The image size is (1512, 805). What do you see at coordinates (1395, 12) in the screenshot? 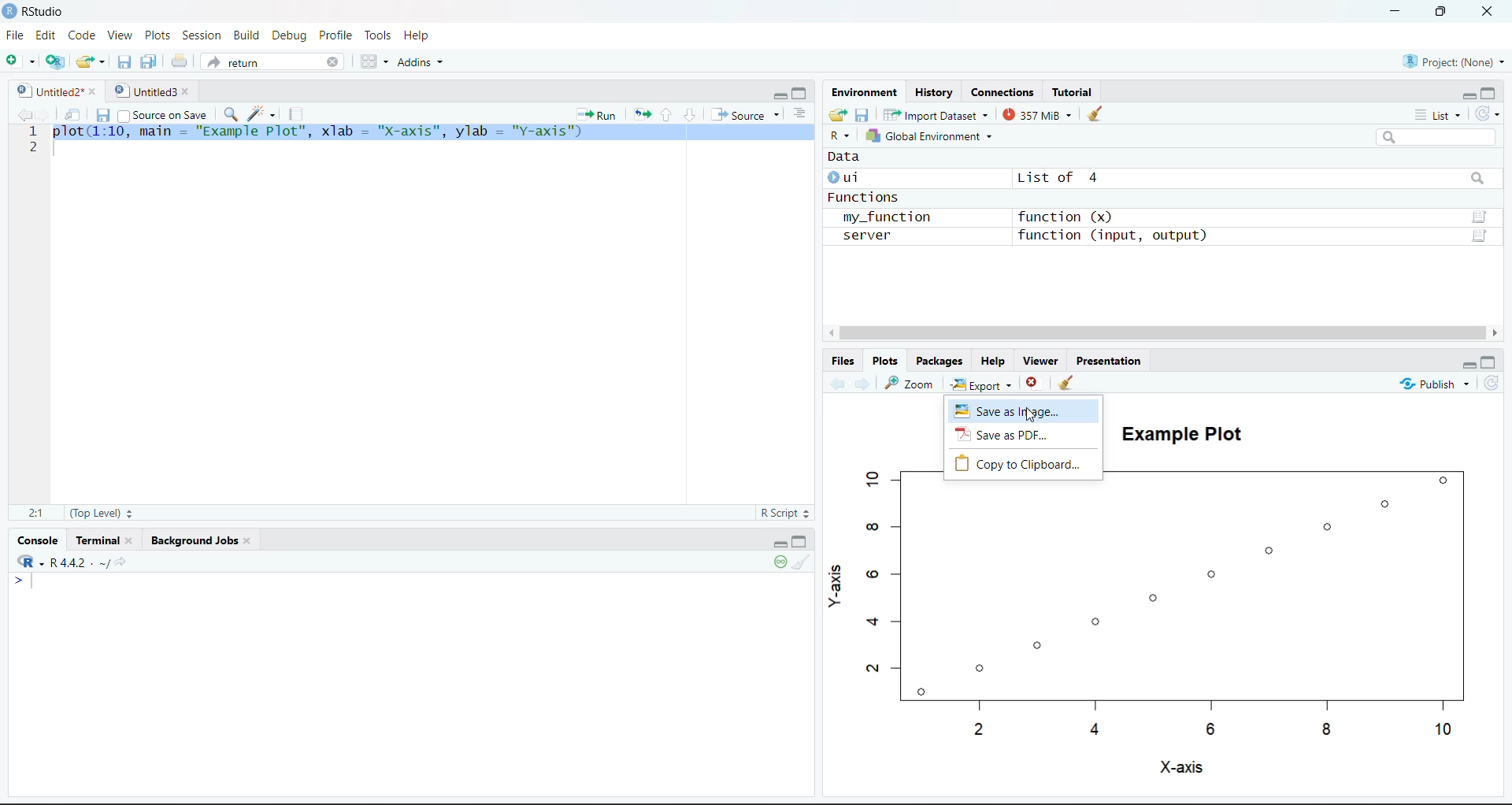
I see `Minimize` at bounding box center [1395, 12].